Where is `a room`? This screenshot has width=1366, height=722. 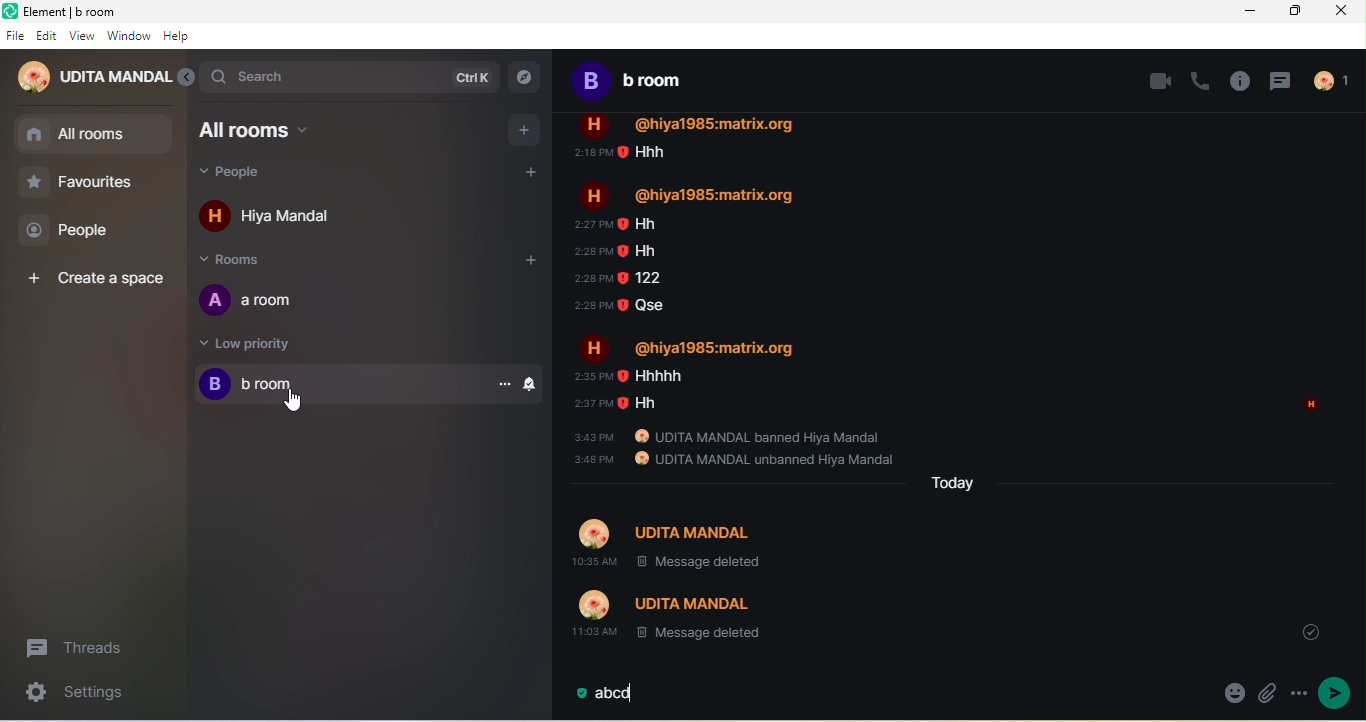 a room is located at coordinates (264, 303).